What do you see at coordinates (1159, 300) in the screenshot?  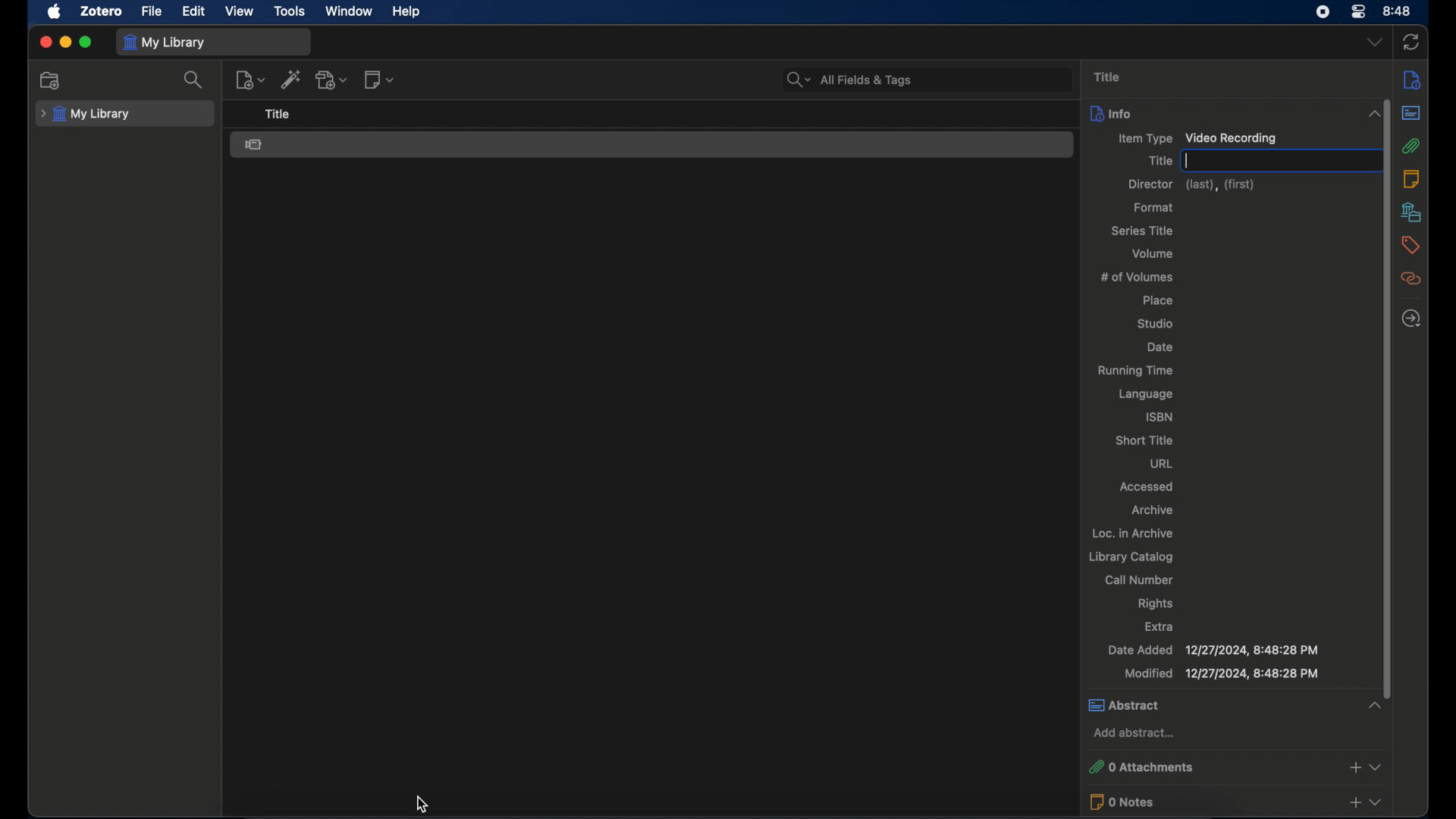 I see `place` at bounding box center [1159, 300].